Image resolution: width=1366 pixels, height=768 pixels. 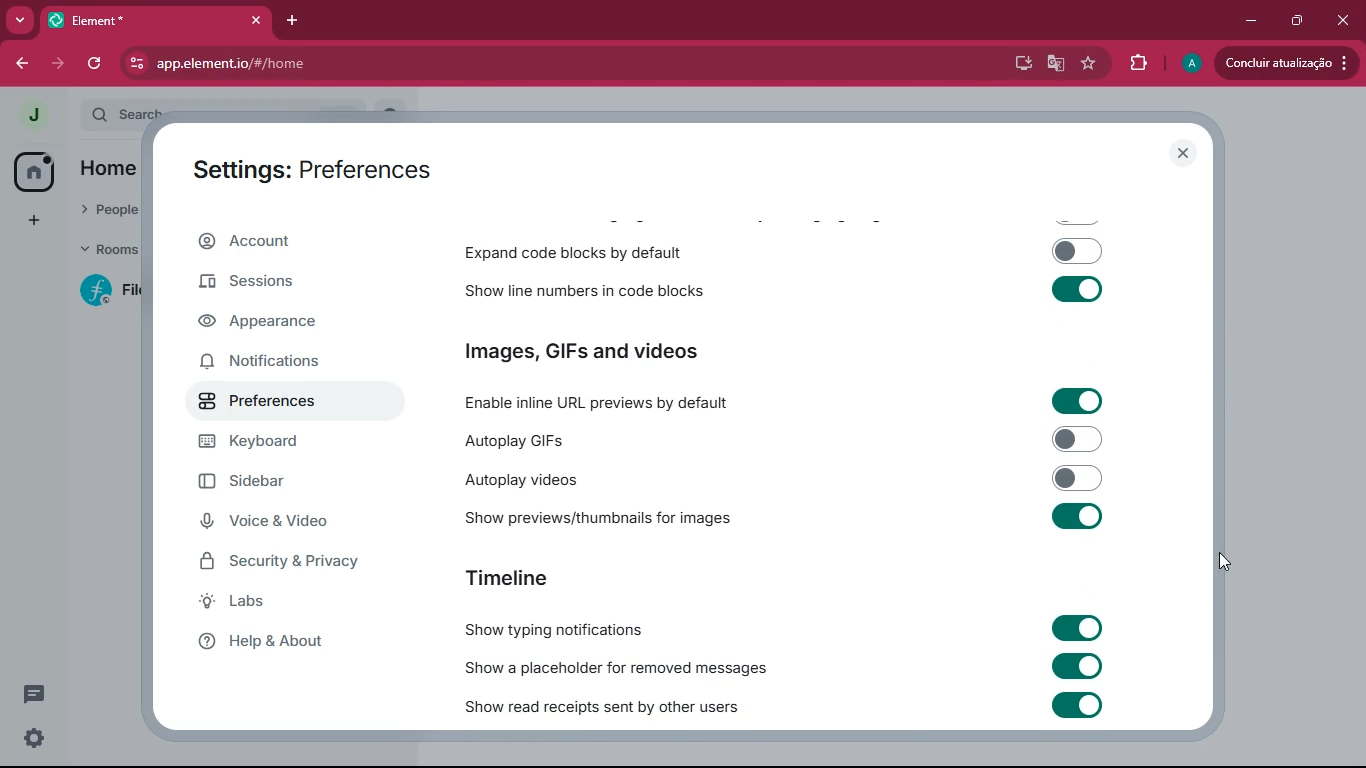 I want to click on preferences, so click(x=276, y=403).